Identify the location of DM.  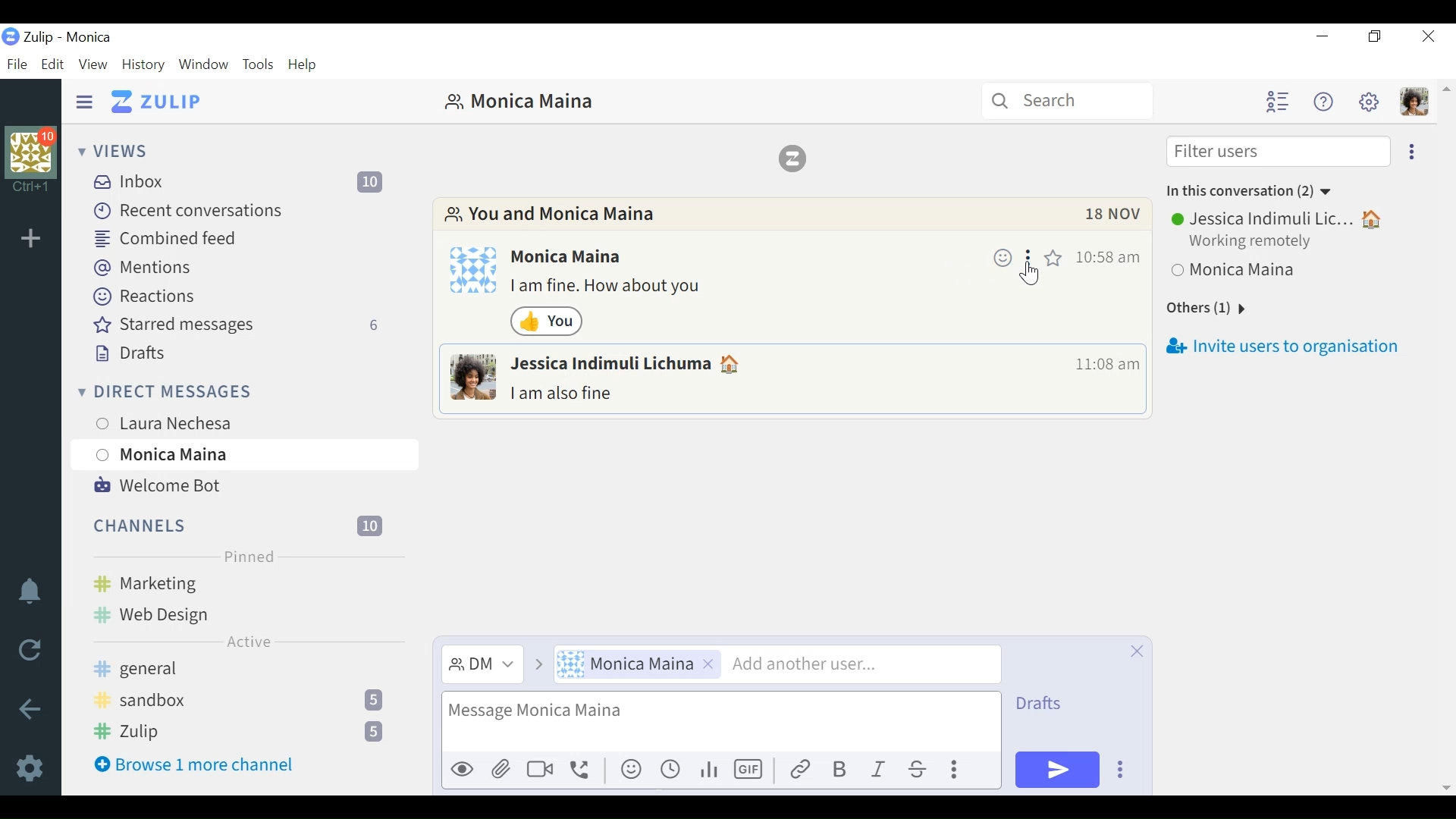
(485, 665).